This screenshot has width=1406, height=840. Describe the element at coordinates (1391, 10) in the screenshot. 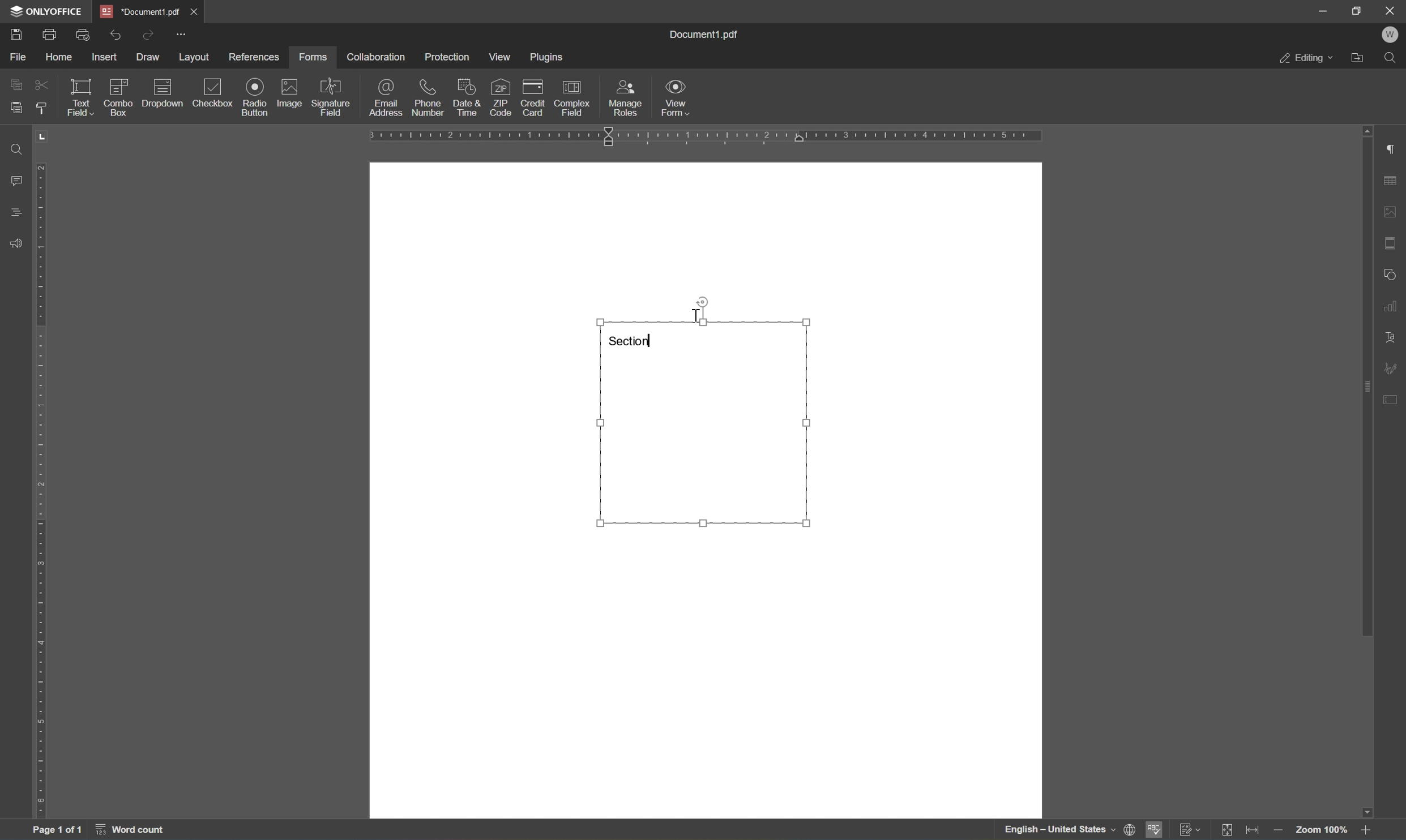

I see `close` at that location.